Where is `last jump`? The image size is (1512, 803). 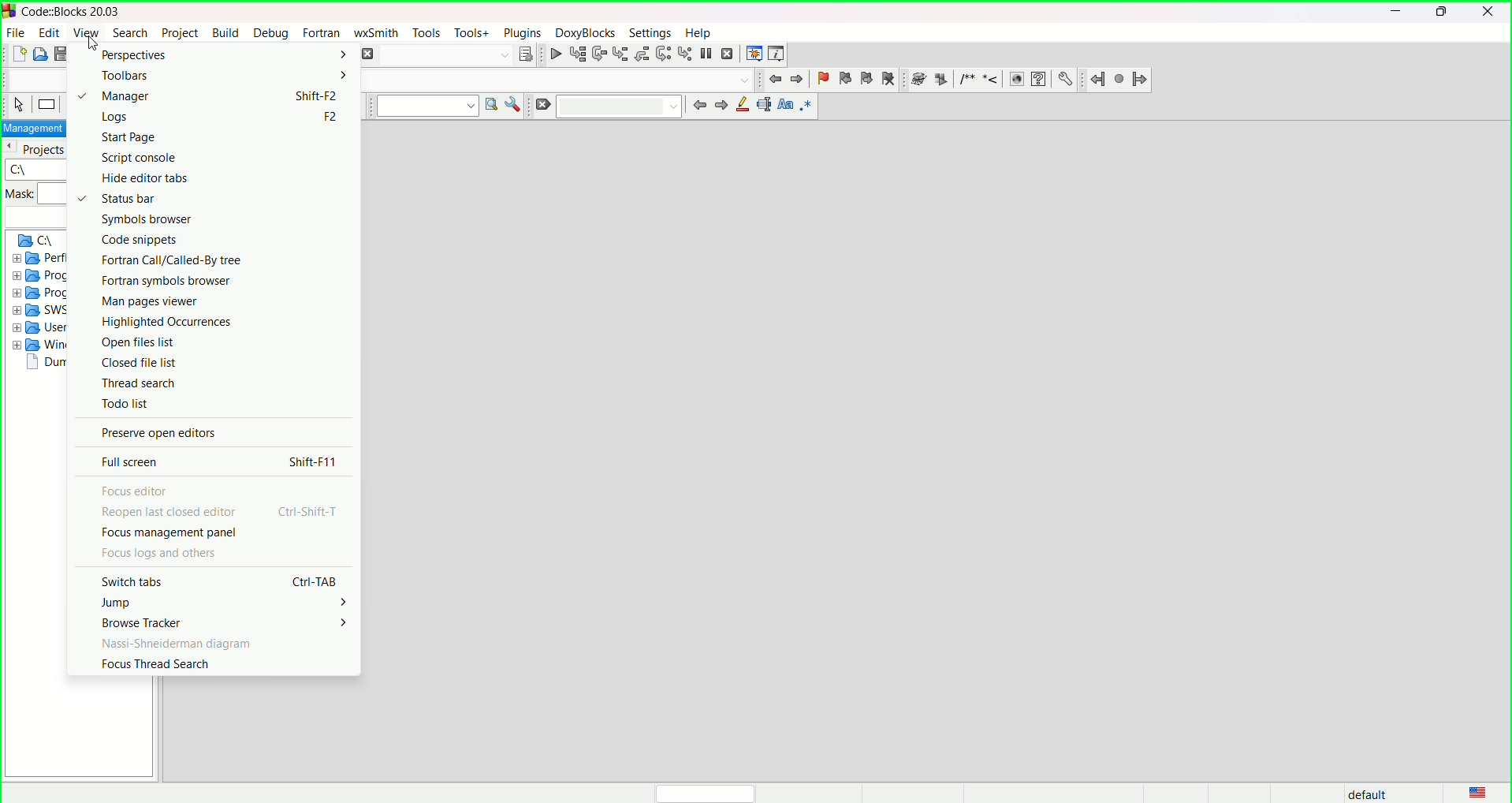
last jump is located at coordinates (1119, 80).